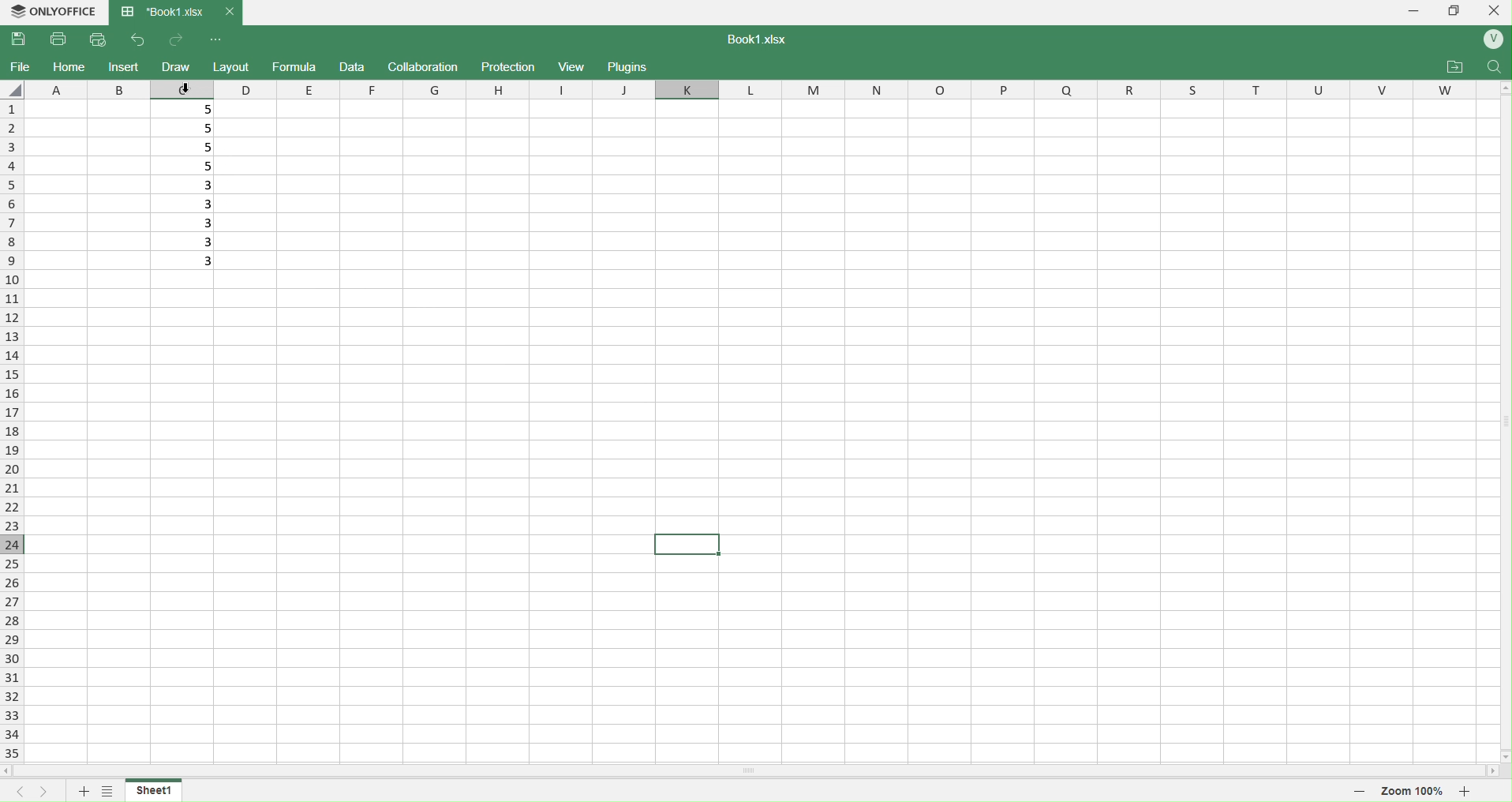 Image resolution: width=1512 pixels, height=802 pixels. I want to click on 3, so click(184, 202).